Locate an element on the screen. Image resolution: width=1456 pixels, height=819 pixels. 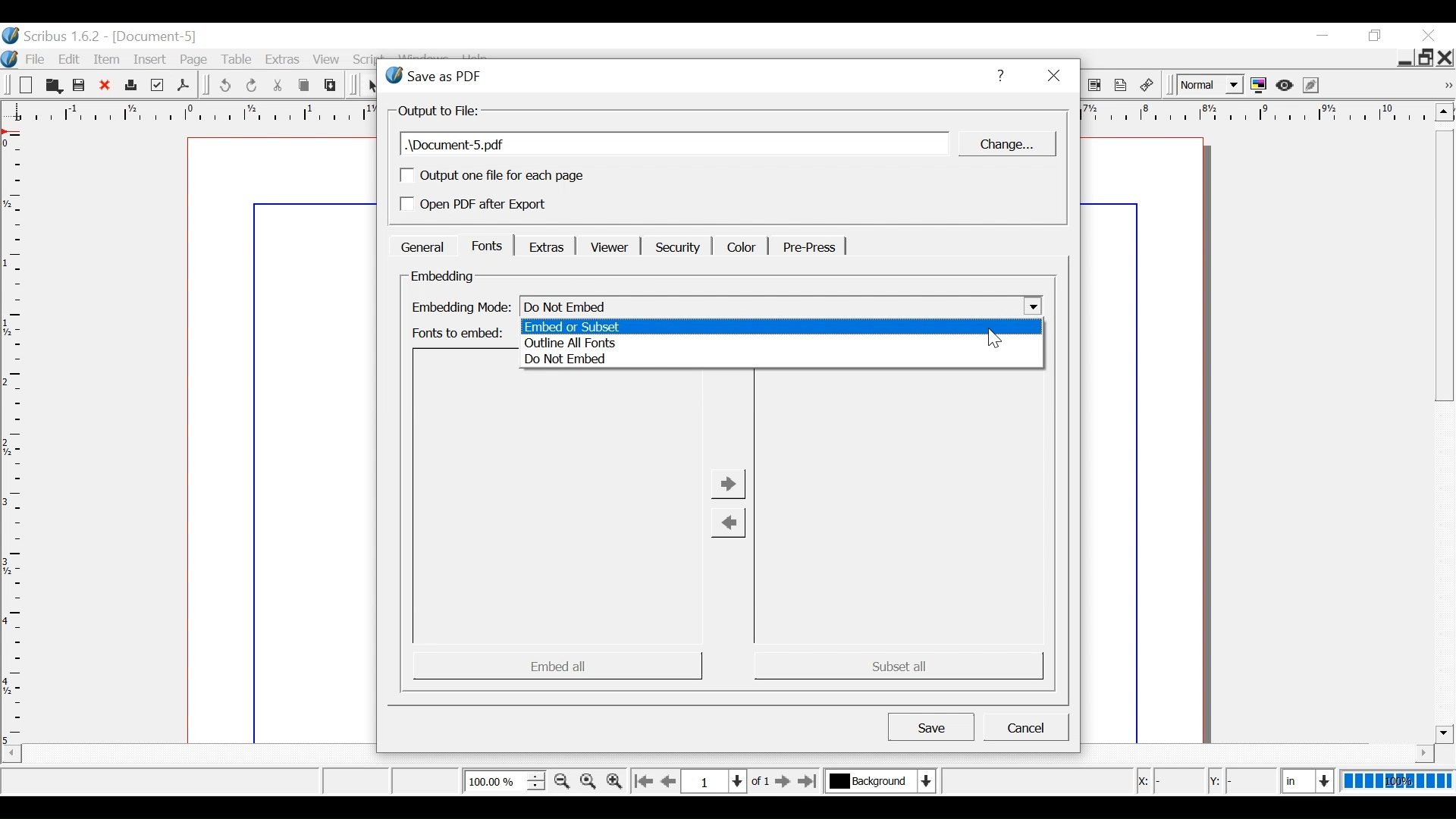
Select the image preview quality is located at coordinates (1208, 86).